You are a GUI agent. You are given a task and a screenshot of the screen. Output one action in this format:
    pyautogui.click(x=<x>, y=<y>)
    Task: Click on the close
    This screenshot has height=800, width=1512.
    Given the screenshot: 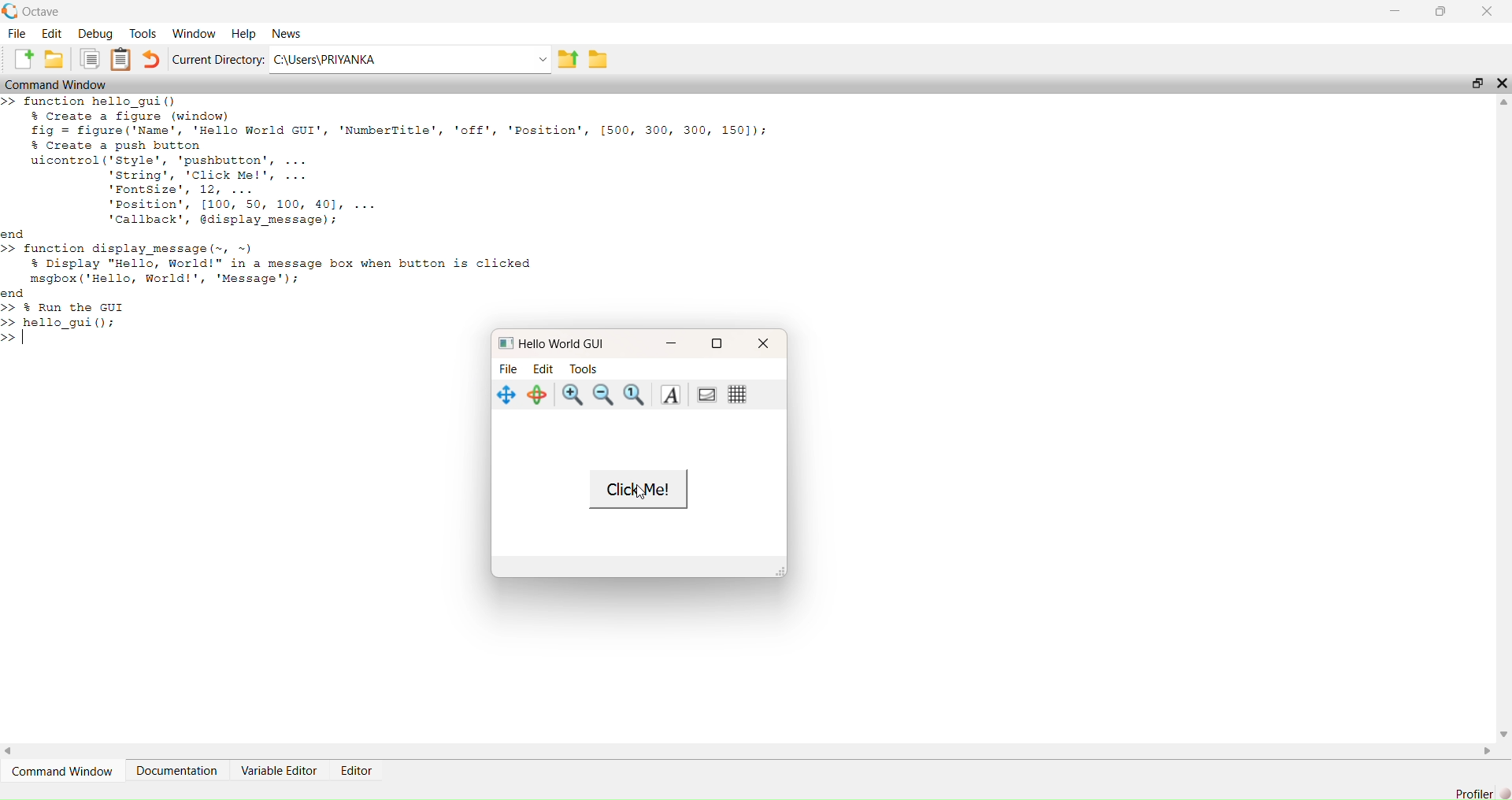 What is the action you would take?
    pyautogui.click(x=763, y=343)
    